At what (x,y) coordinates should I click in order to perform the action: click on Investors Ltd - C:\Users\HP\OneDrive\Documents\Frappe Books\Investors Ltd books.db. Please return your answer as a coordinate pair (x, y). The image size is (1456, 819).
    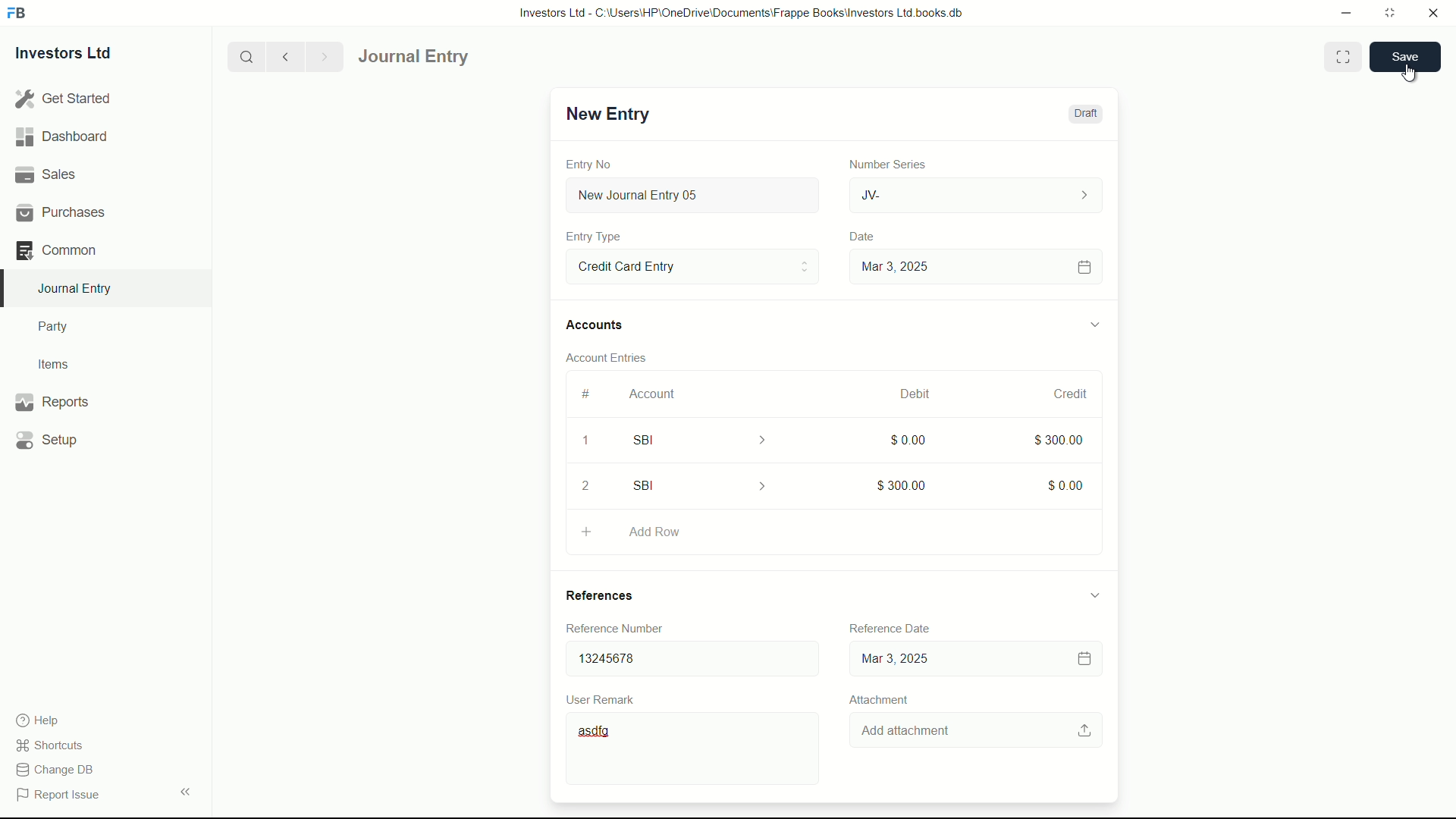
    Looking at the image, I should click on (743, 12).